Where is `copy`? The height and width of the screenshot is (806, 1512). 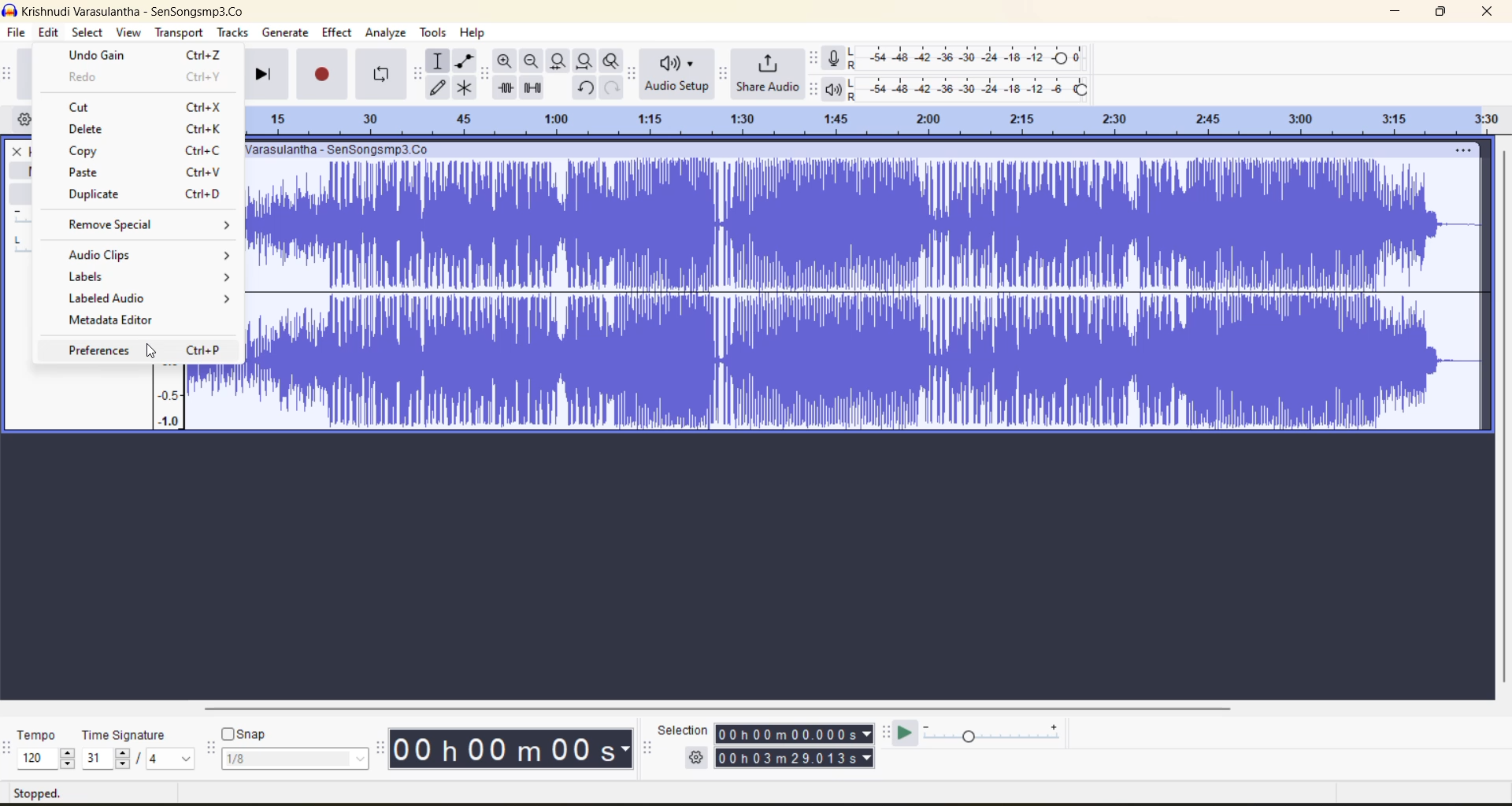
copy is located at coordinates (143, 149).